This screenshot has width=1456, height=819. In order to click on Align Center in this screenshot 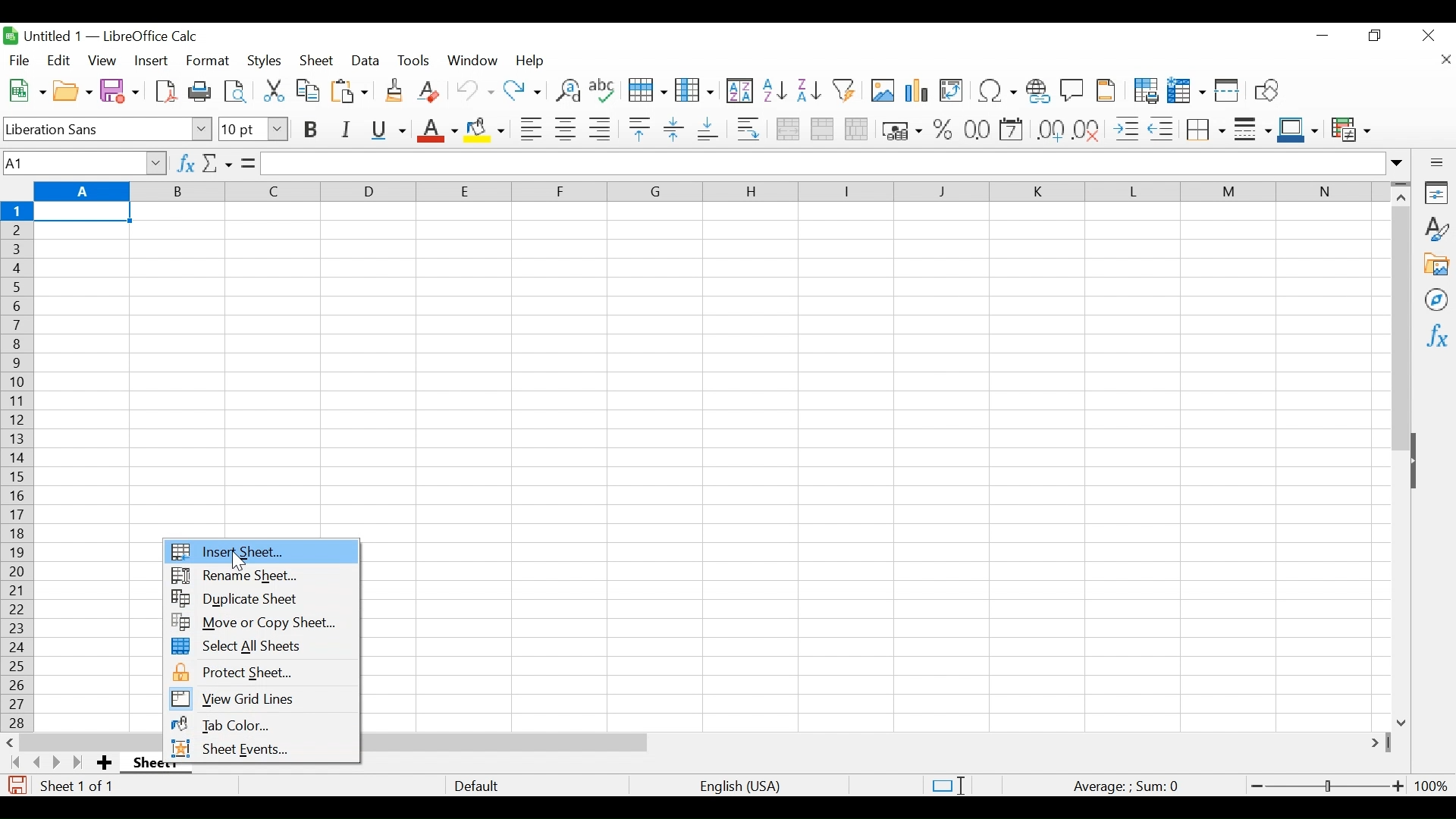, I will do `click(566, 129)`.